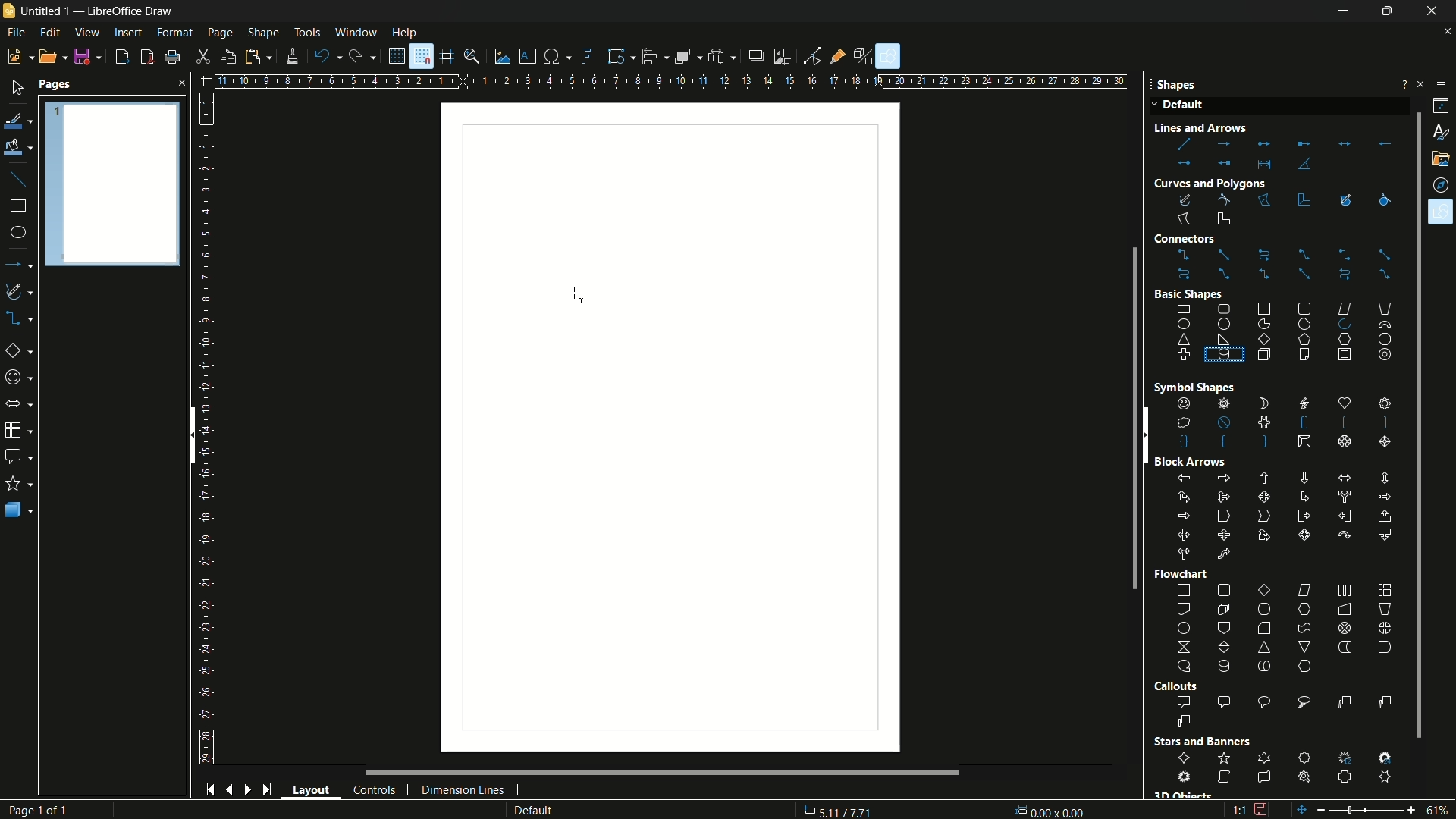  Describe the element at coordinates (421, 56) in the screenshot. I see `snap to grid` at that location.